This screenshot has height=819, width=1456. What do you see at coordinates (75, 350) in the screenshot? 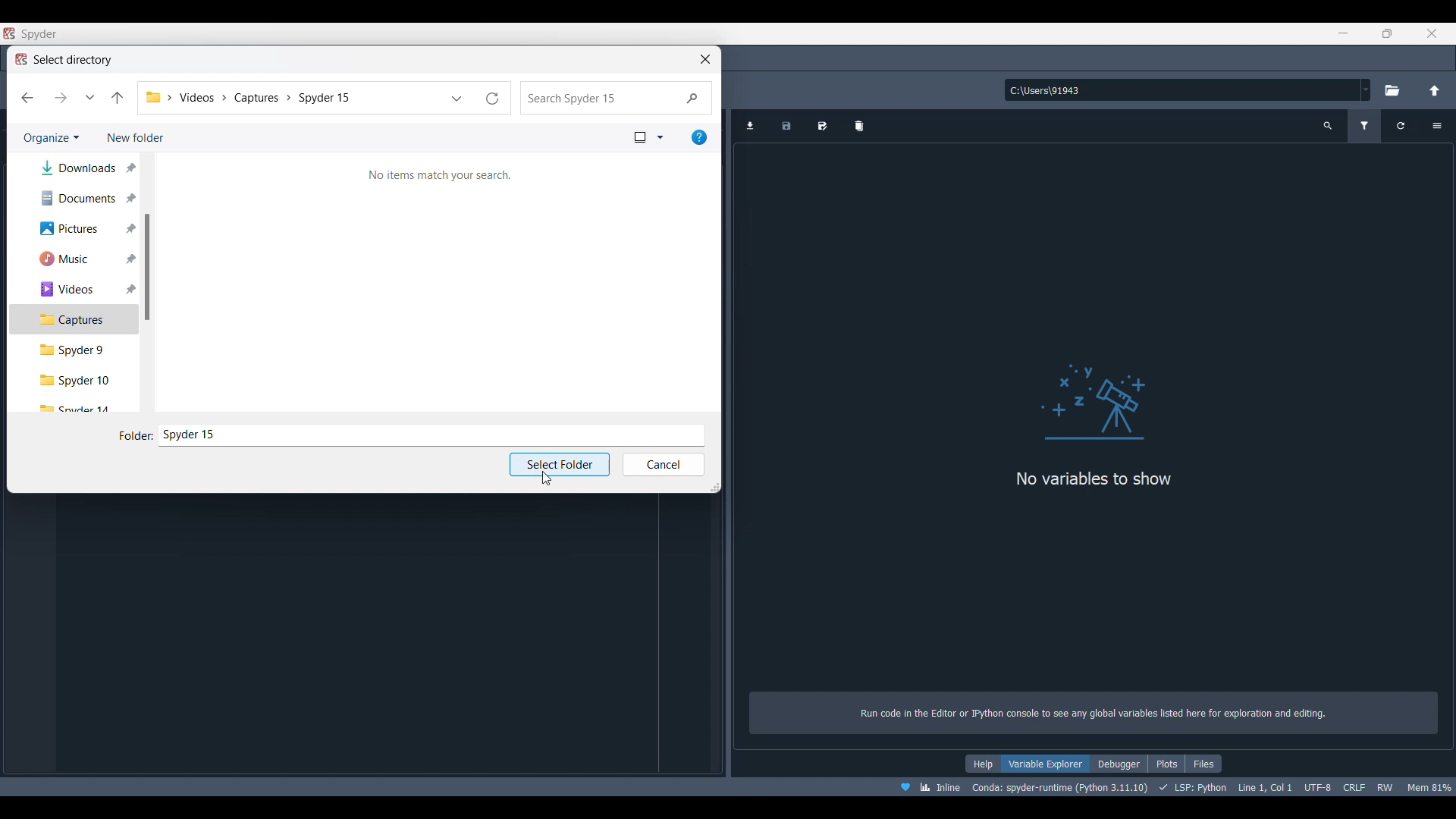
I see `Spyder 9` at bounding box center [75, 350].